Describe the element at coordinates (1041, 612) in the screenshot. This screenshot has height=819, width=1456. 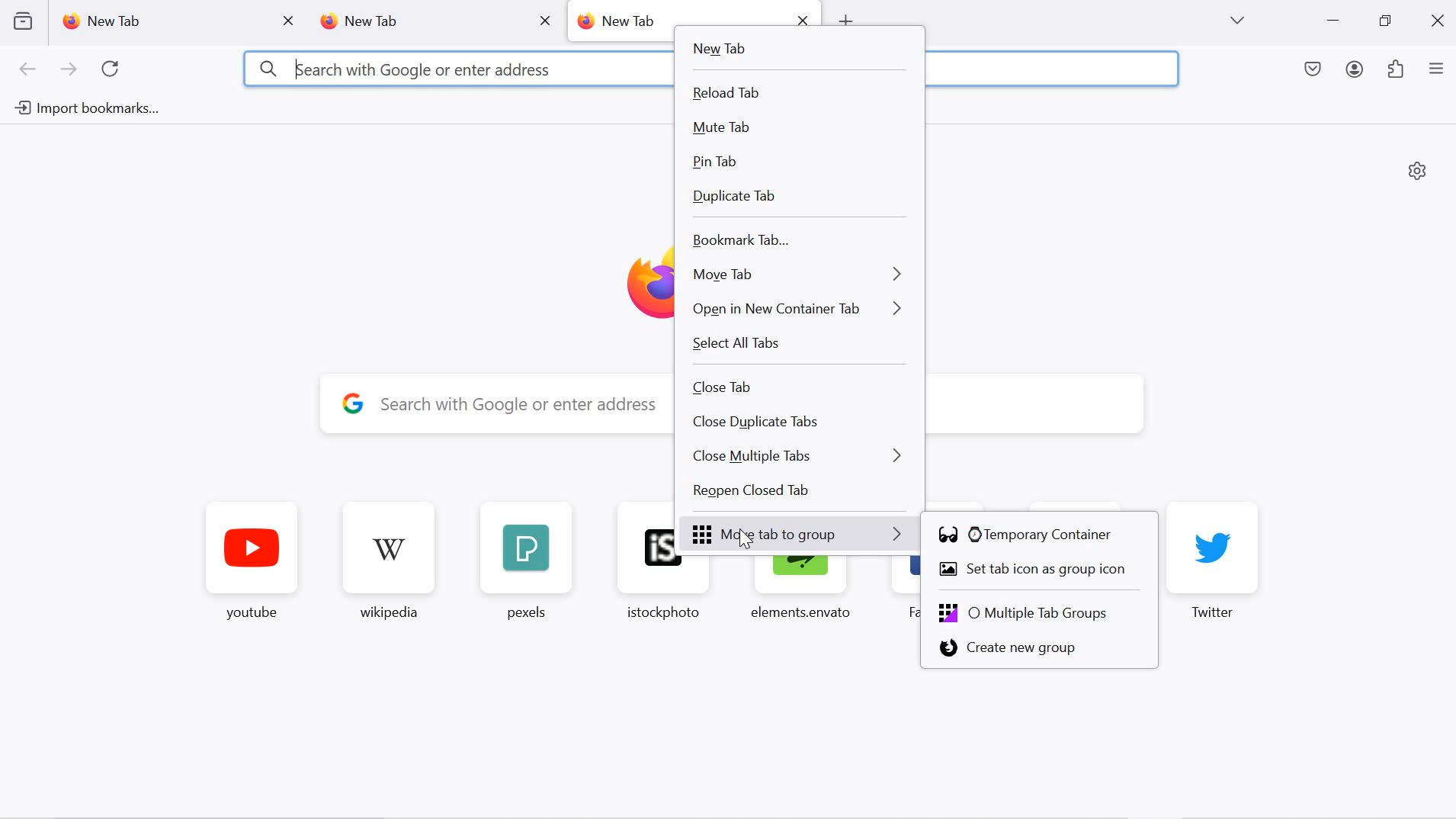
I see `multiple tab groups` at that location.